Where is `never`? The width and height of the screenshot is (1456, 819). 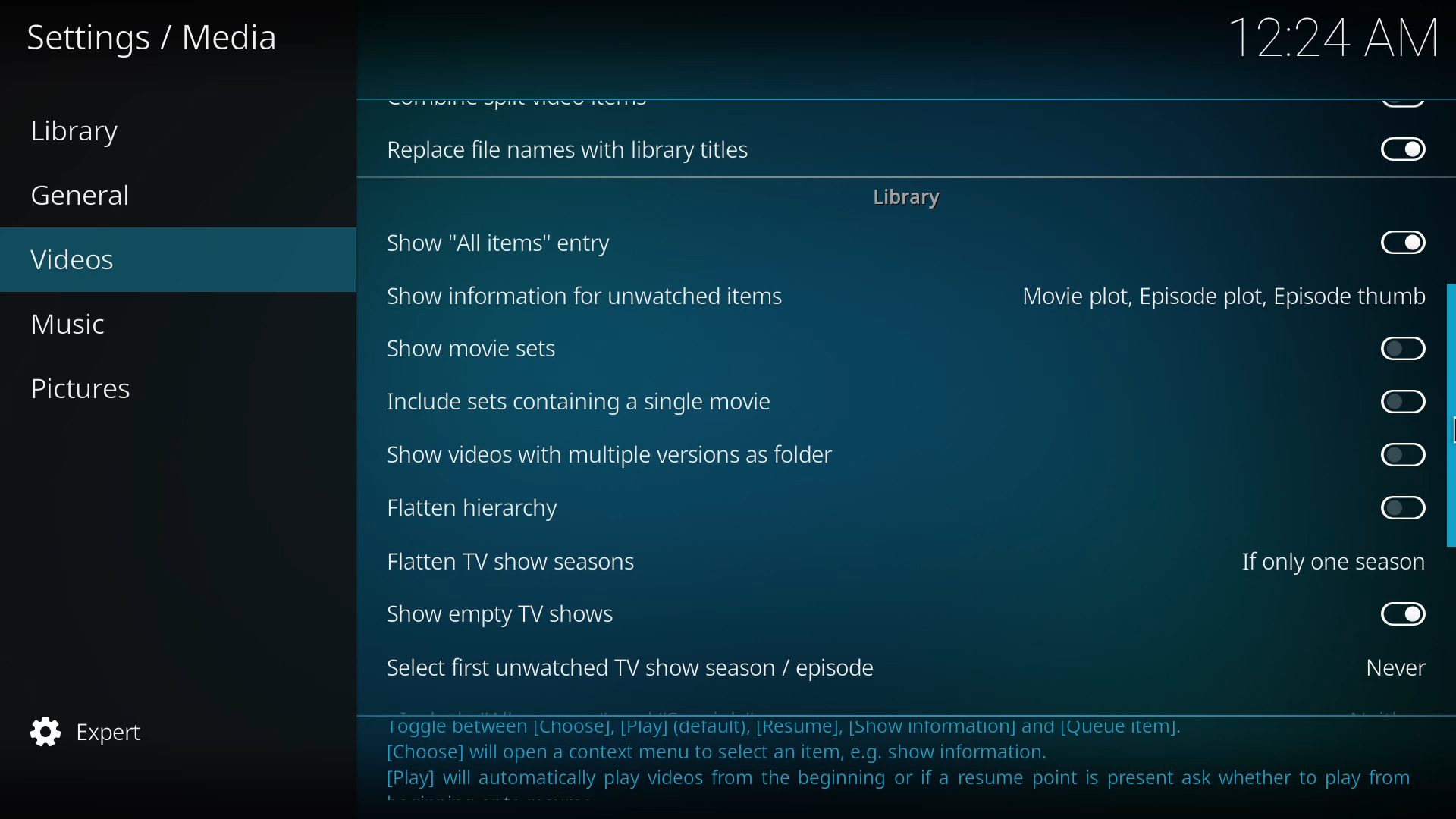
never is located at coordinates (1389, 667).